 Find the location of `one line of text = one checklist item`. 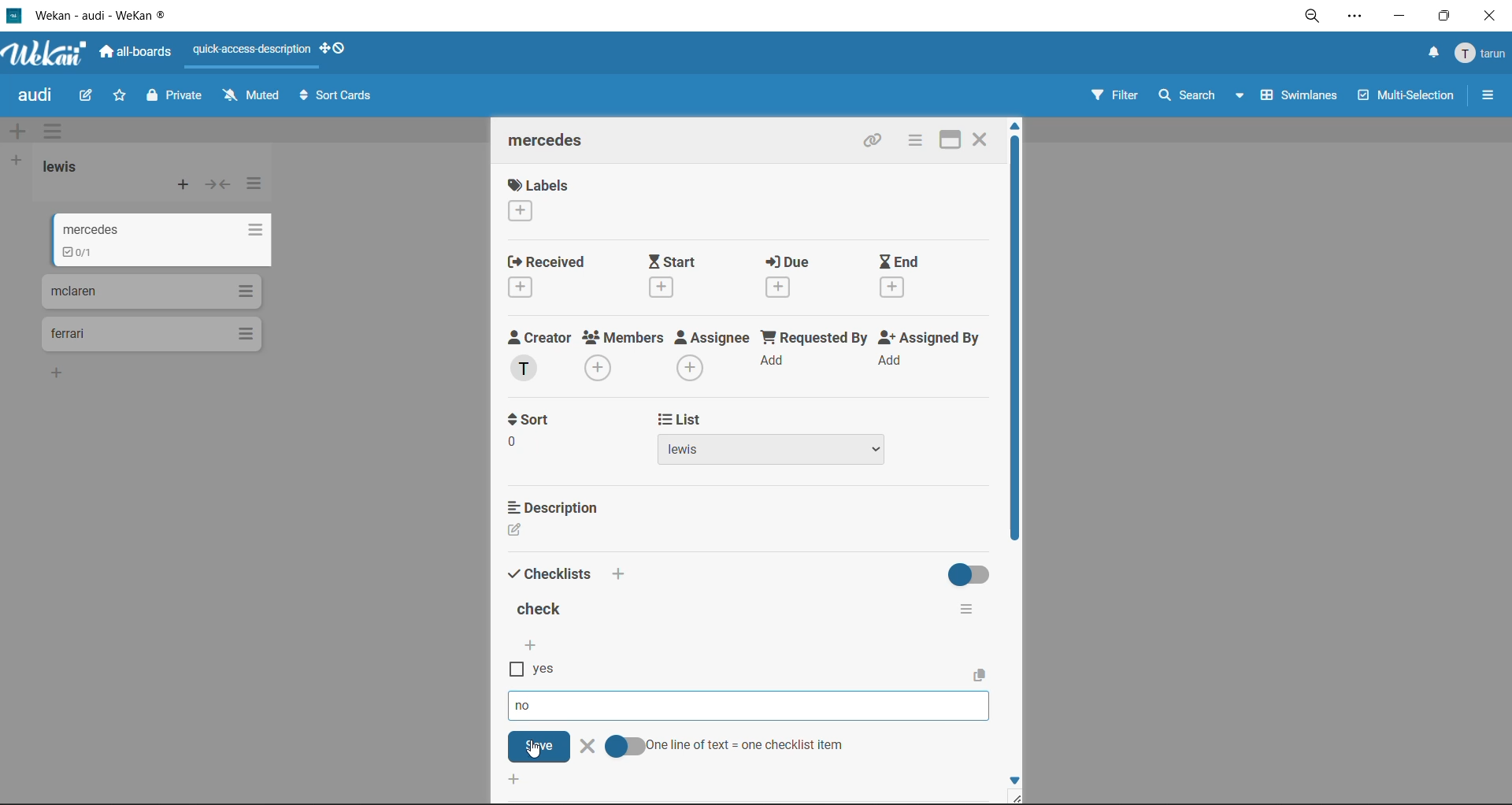

one line of text = one checklist item is located at coordinates (725, 746).